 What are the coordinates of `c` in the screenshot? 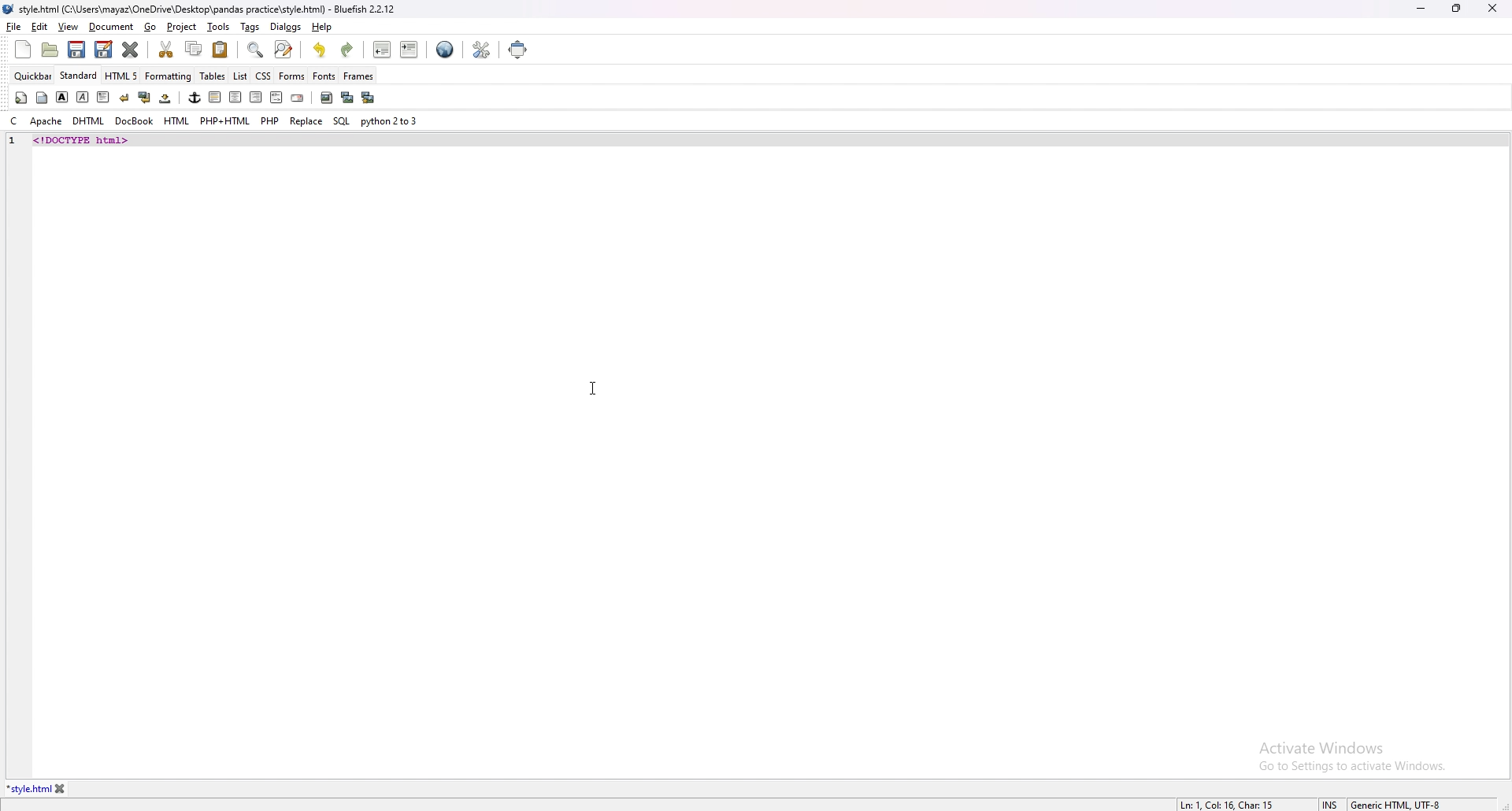 It's located at (13, 121).